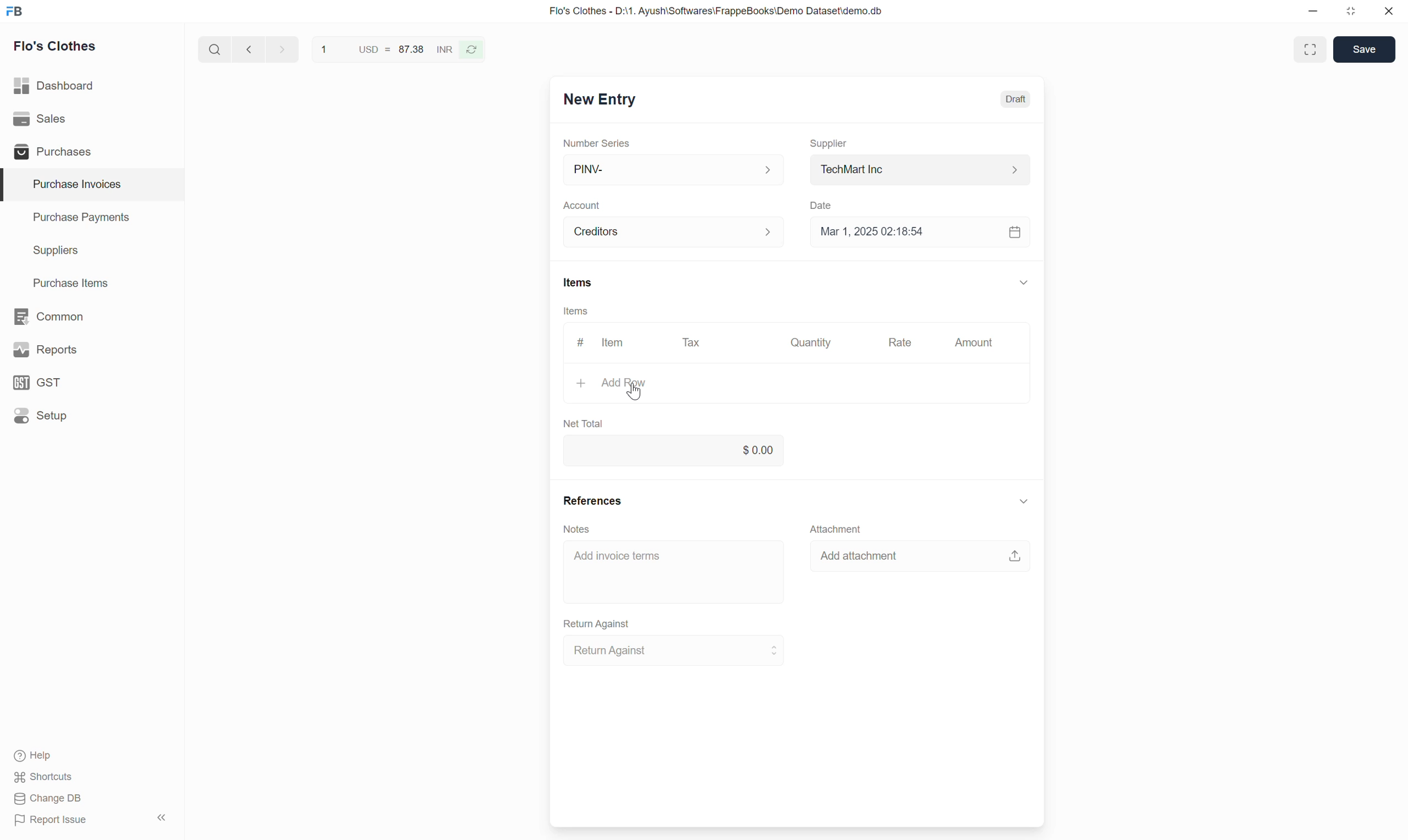 The height and width of the screenshot is (840, 1408). What do you see at coordinates (92, 251) in the screenshot?
I see `Suppliers` at bounding box center [92, 251].